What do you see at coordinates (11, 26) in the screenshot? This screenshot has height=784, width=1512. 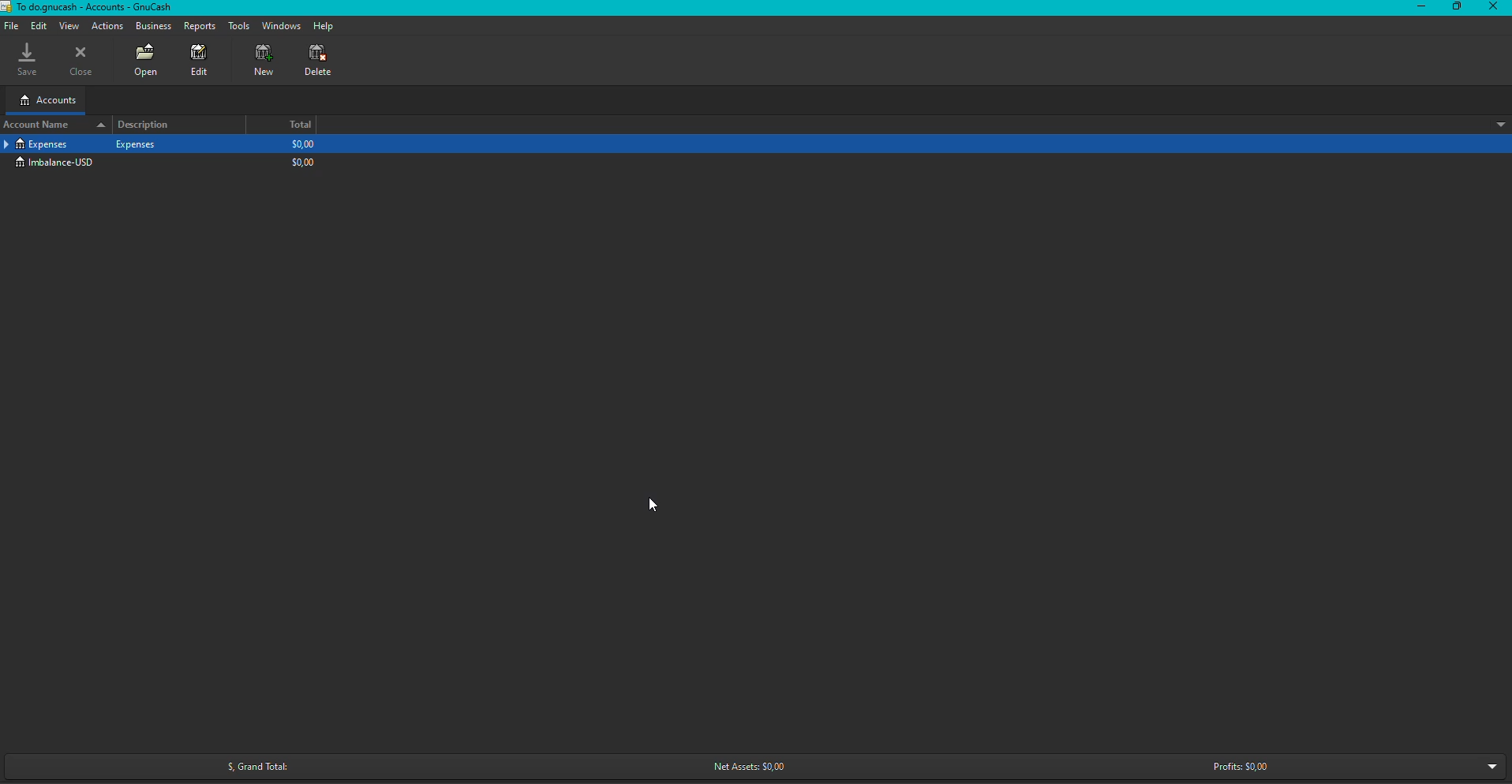 I see `Navigation` at bounding box center [11, 26].